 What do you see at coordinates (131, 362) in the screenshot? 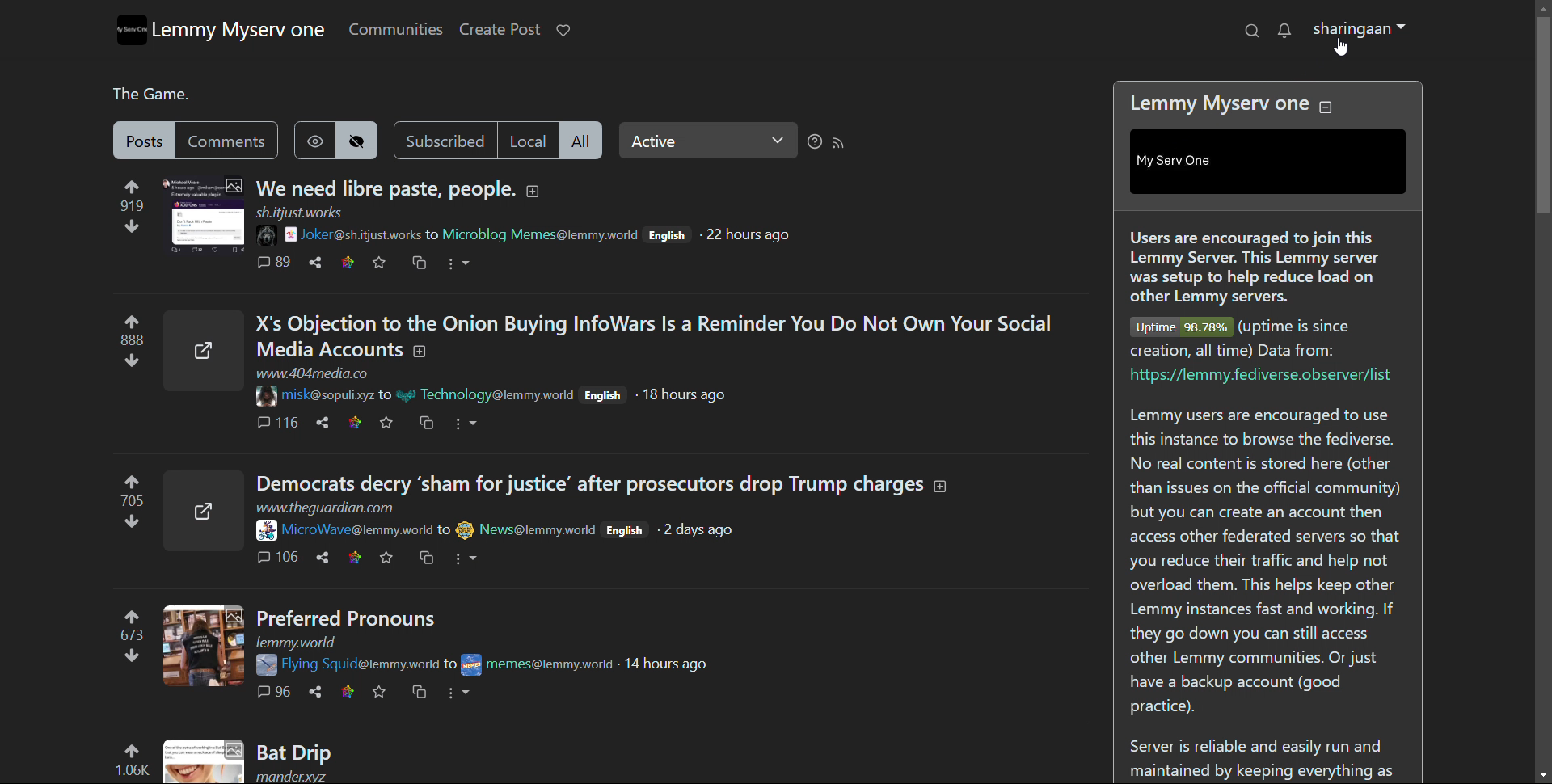
I see ` downvotes` at bounding box center [131, 362].